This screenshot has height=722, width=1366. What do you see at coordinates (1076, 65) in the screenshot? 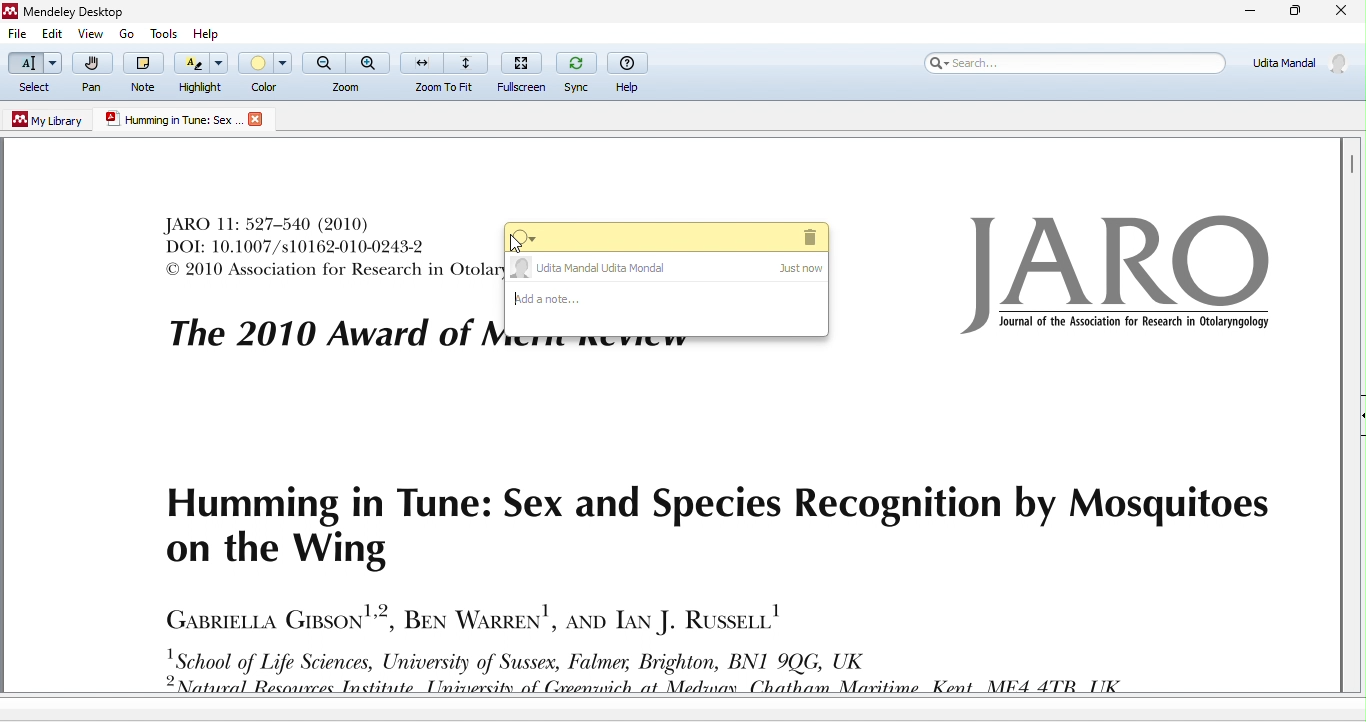
I see `search bar` at bounding box center [1076, 65].